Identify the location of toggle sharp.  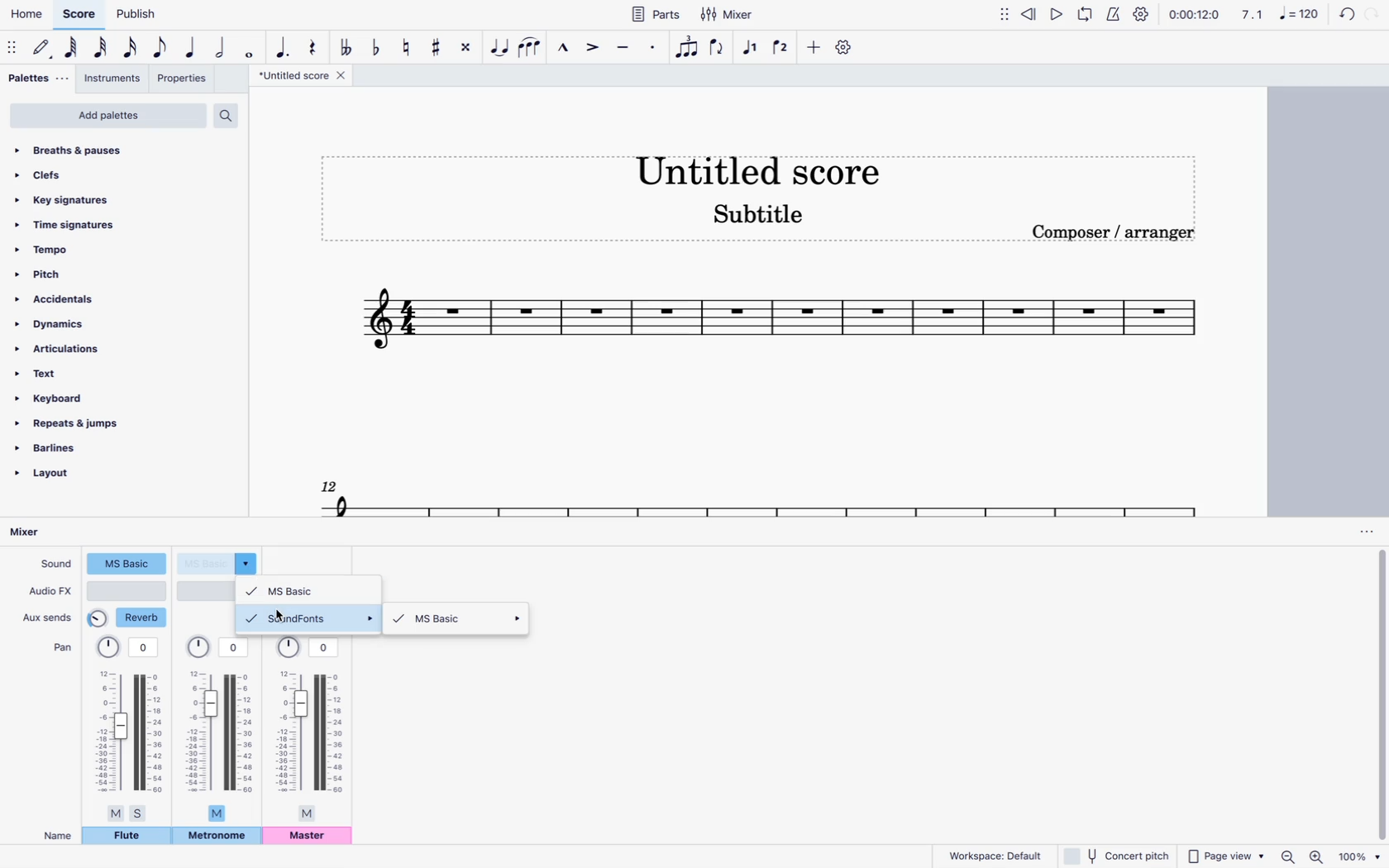
(438, 50).